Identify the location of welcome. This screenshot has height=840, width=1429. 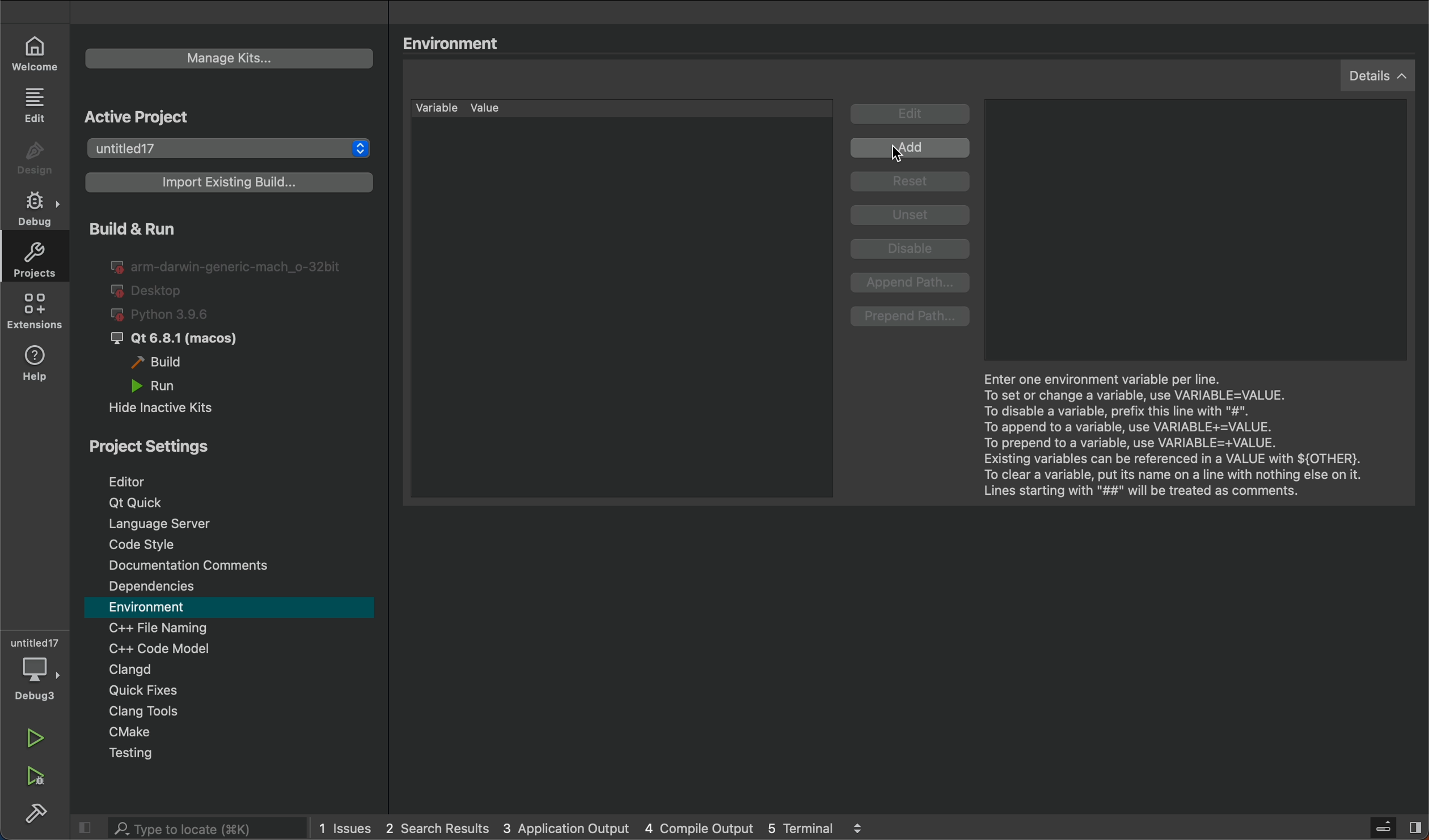
(36, 52).